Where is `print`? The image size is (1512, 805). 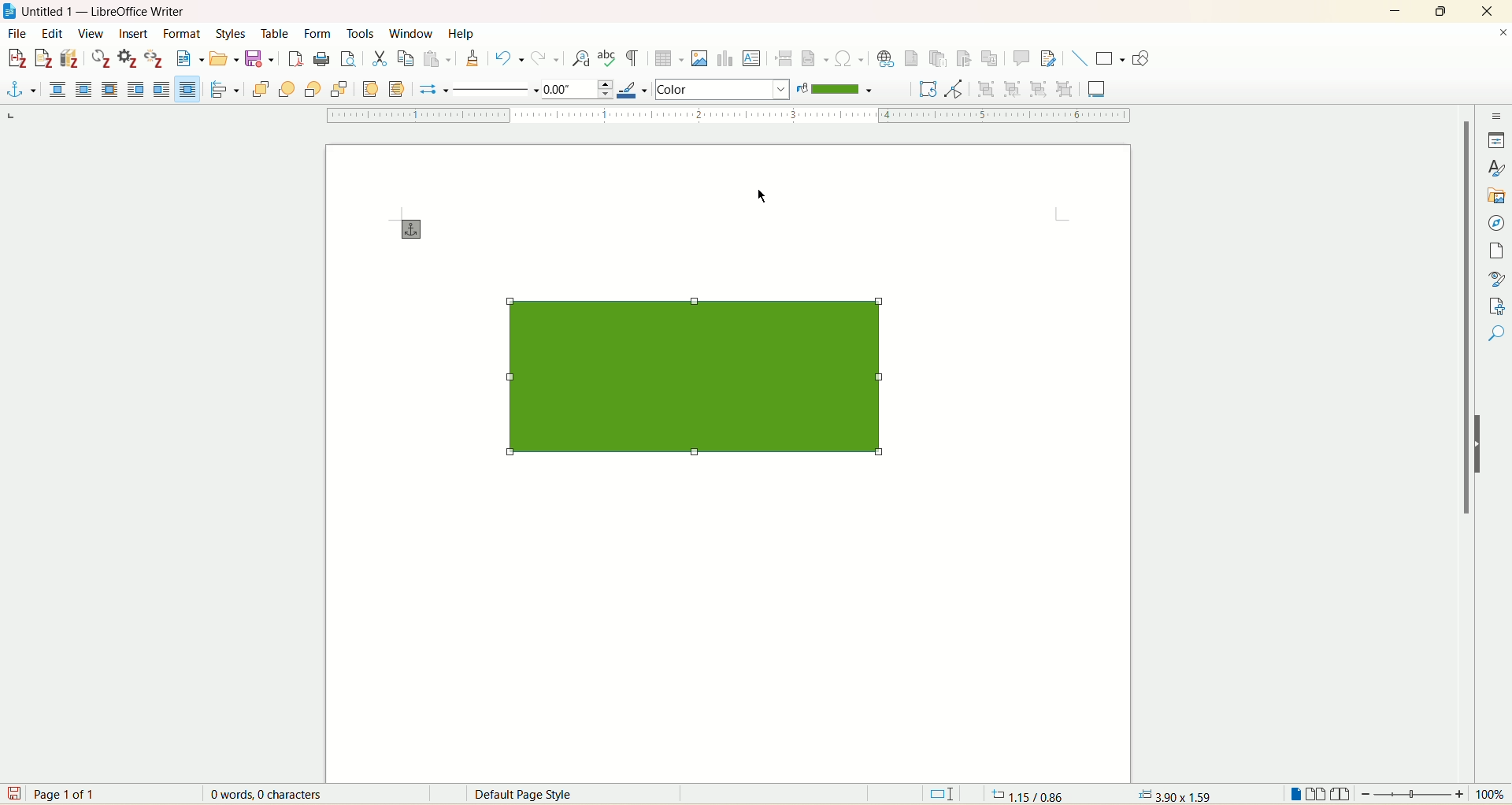 print is located at coordinates (321, 59).